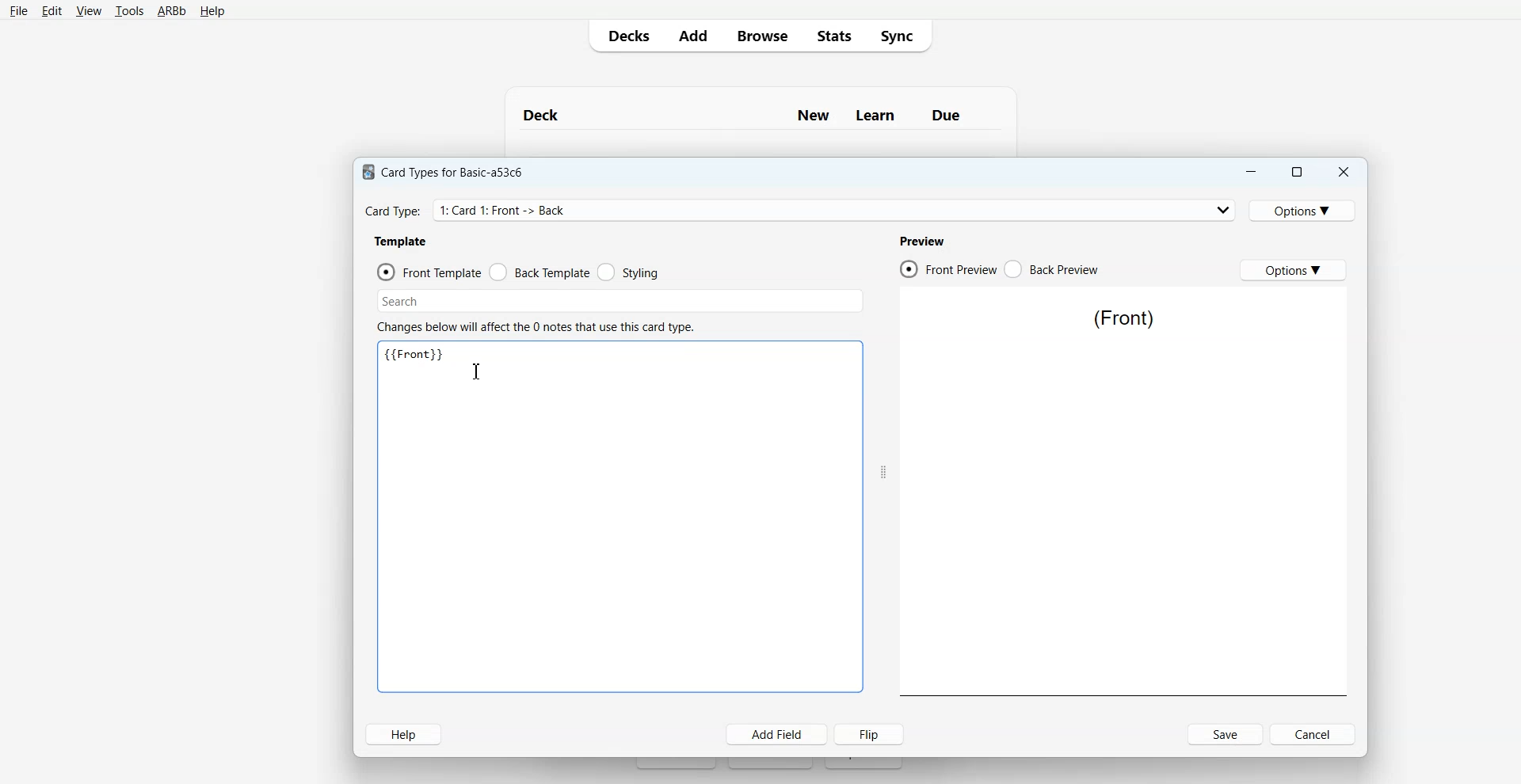 This screenshot has width=1521, height=784. I want to click on Decks, so click(625, 36).